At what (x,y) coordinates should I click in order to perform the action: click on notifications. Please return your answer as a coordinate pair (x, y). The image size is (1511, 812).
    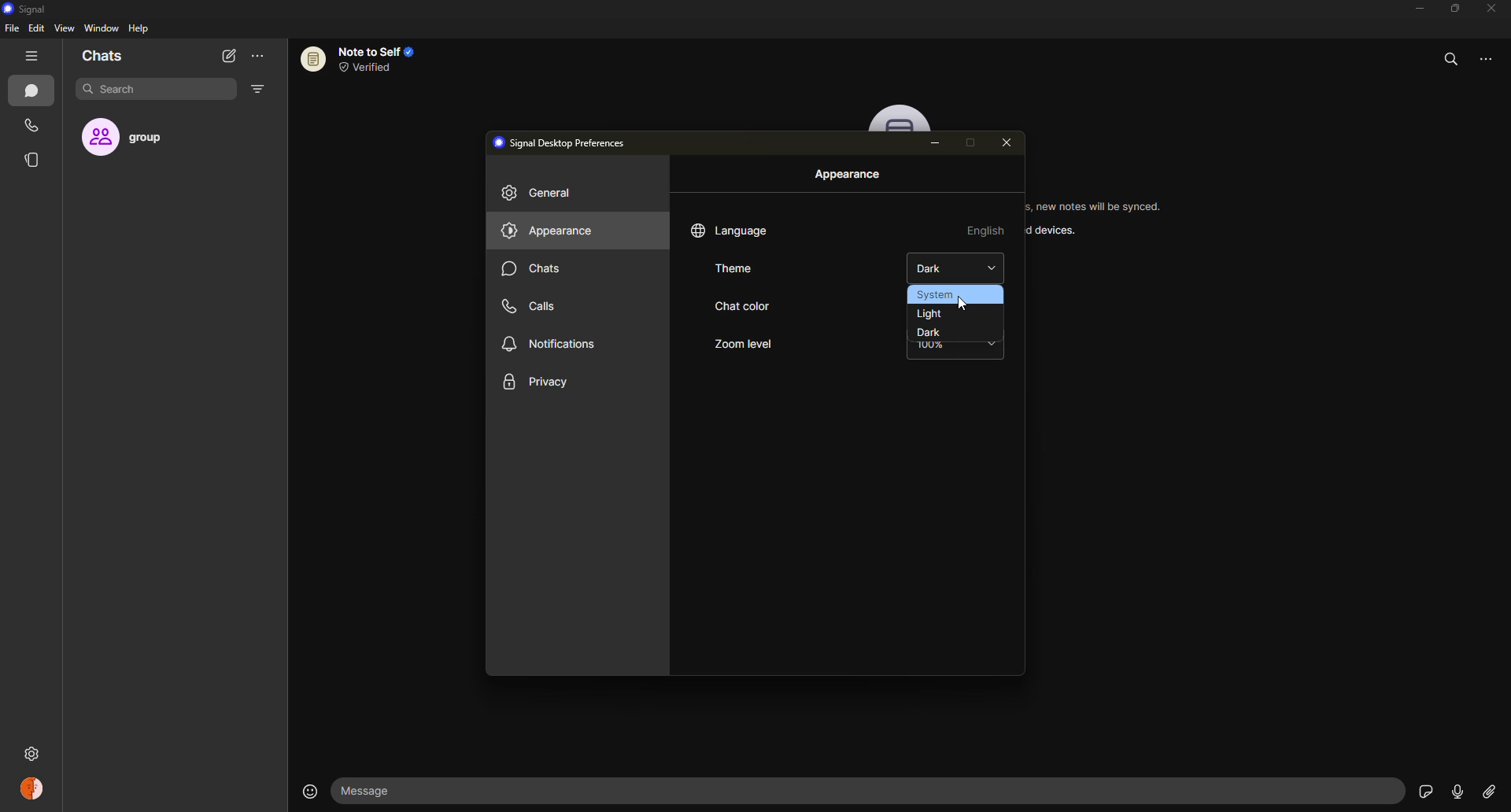
    Looking at the image, I should click on (552, 341).